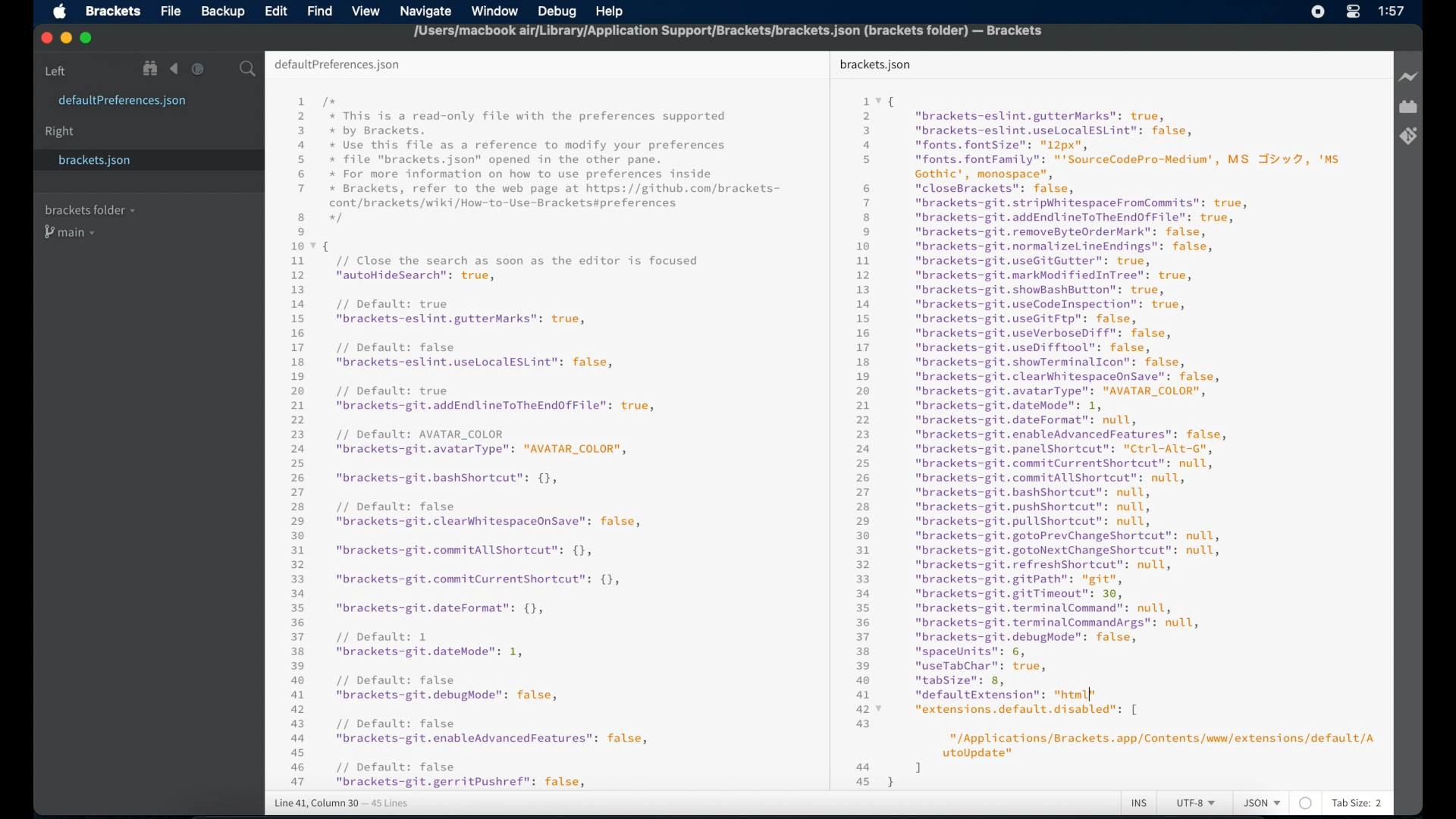  What do you see at coordinates (123, 102) in the screenshot?
I see `defaultpreferences.json` at bounding box center [123, 102].